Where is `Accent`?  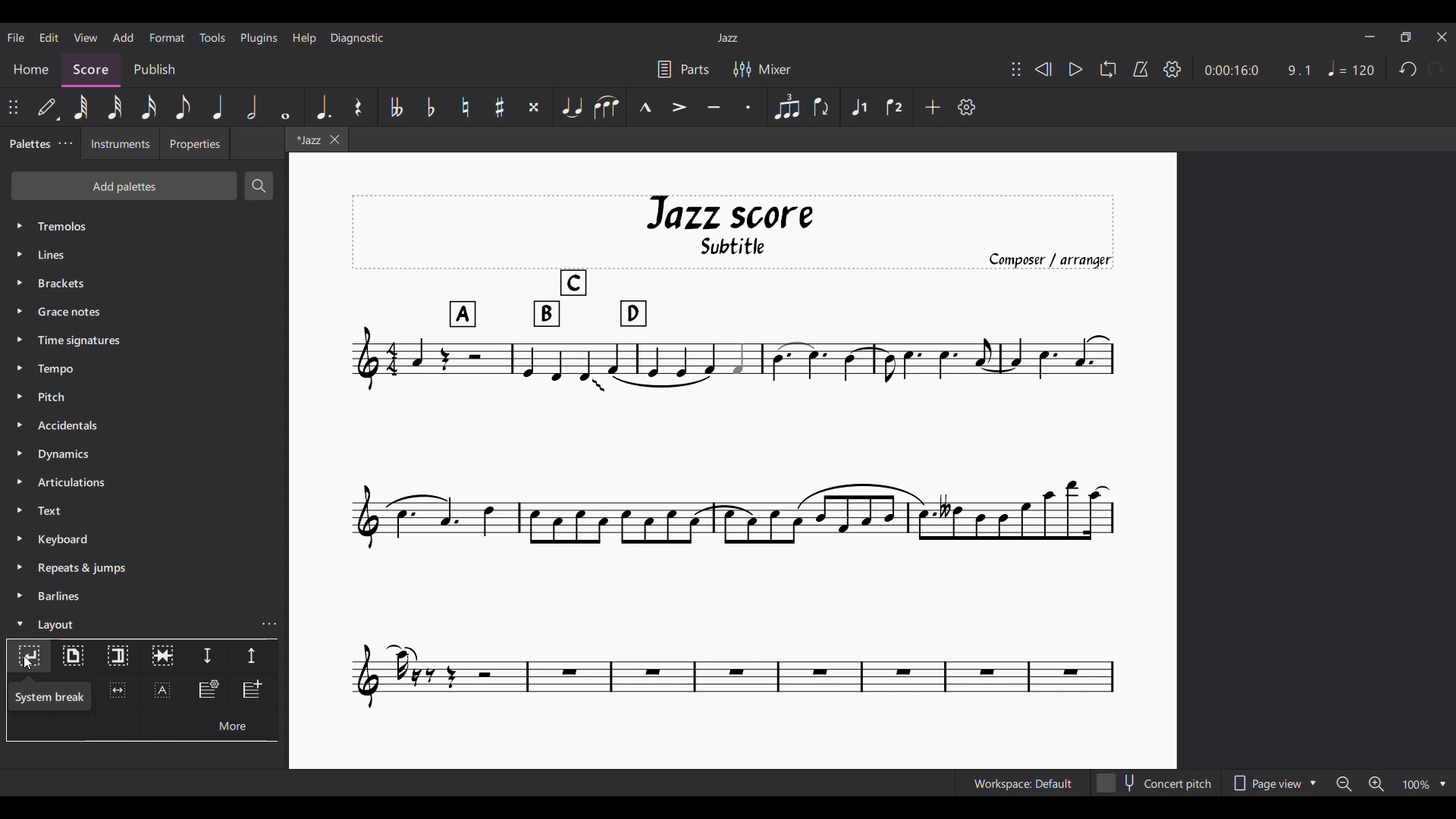
Accent is located at coordinates (678, 108).